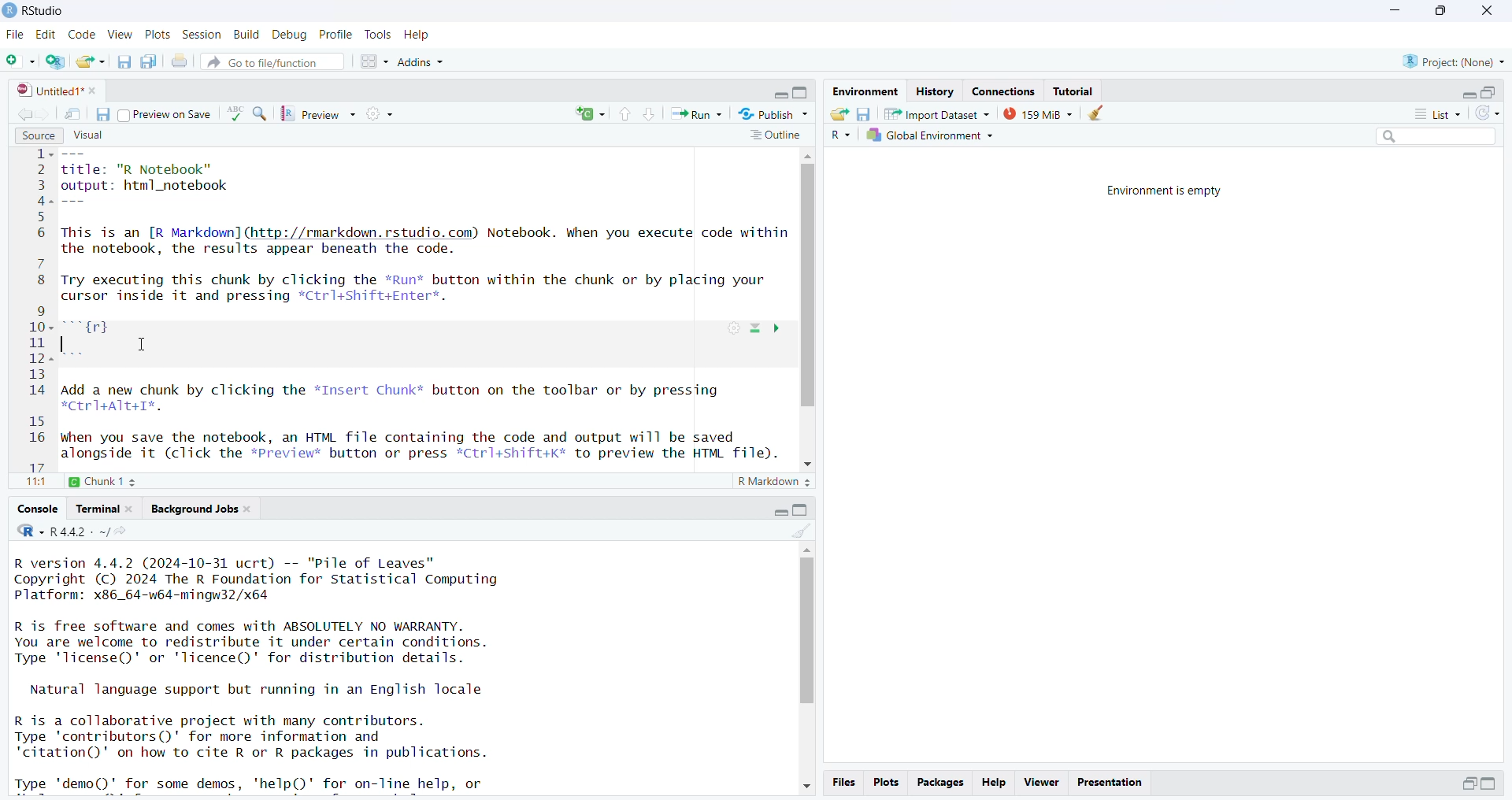 This screenshot has width=1512, height=800. What do you see at coordinates (778, 95) in the screenshot?
I see `expand` at bounding box center [778, 95].